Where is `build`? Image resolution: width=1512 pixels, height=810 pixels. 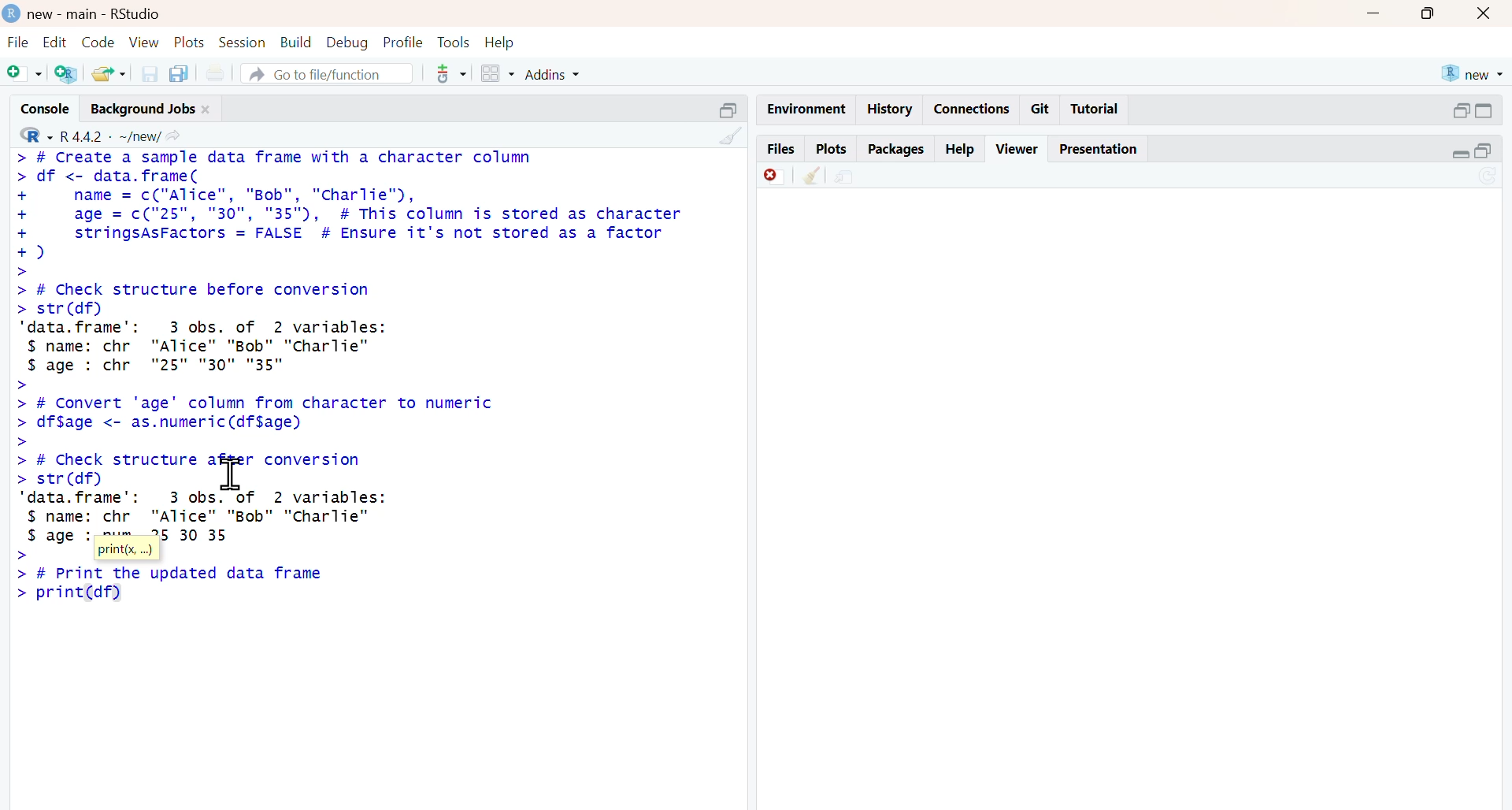
build is located at coordinates (297, 43).